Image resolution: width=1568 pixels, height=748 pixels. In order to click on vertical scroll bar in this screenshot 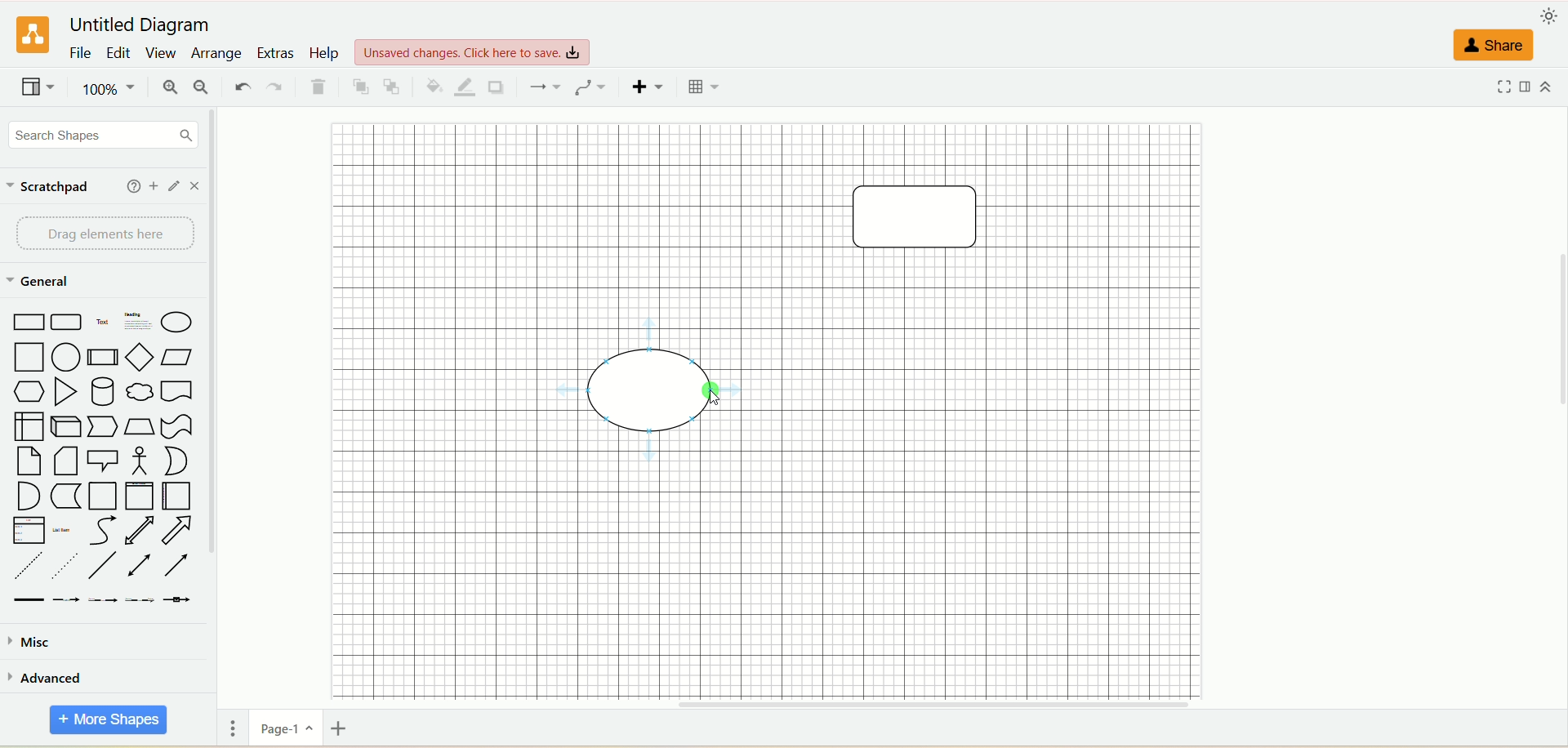, I will do `click(222, 399)`.